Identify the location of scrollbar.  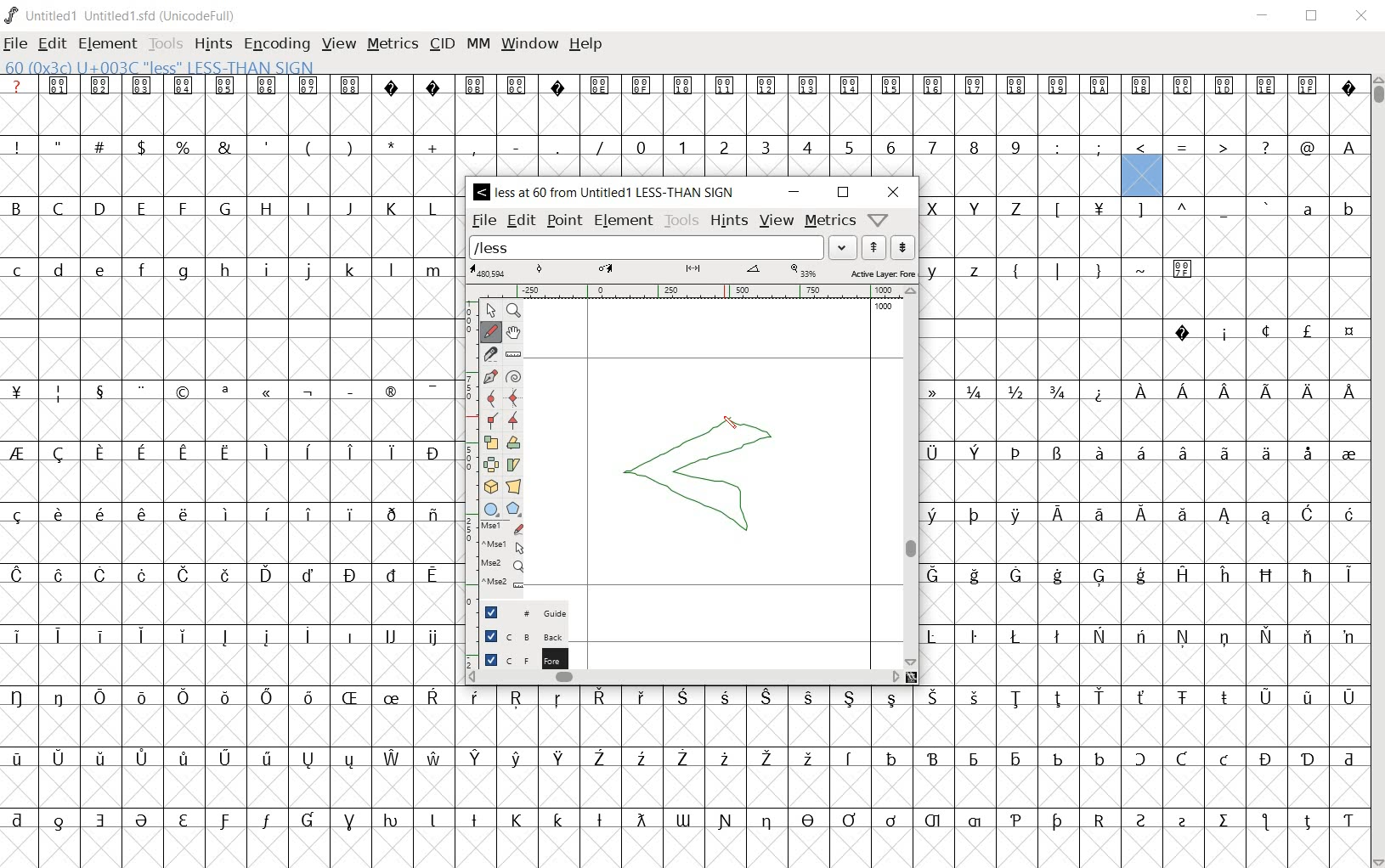
(1377, 470).